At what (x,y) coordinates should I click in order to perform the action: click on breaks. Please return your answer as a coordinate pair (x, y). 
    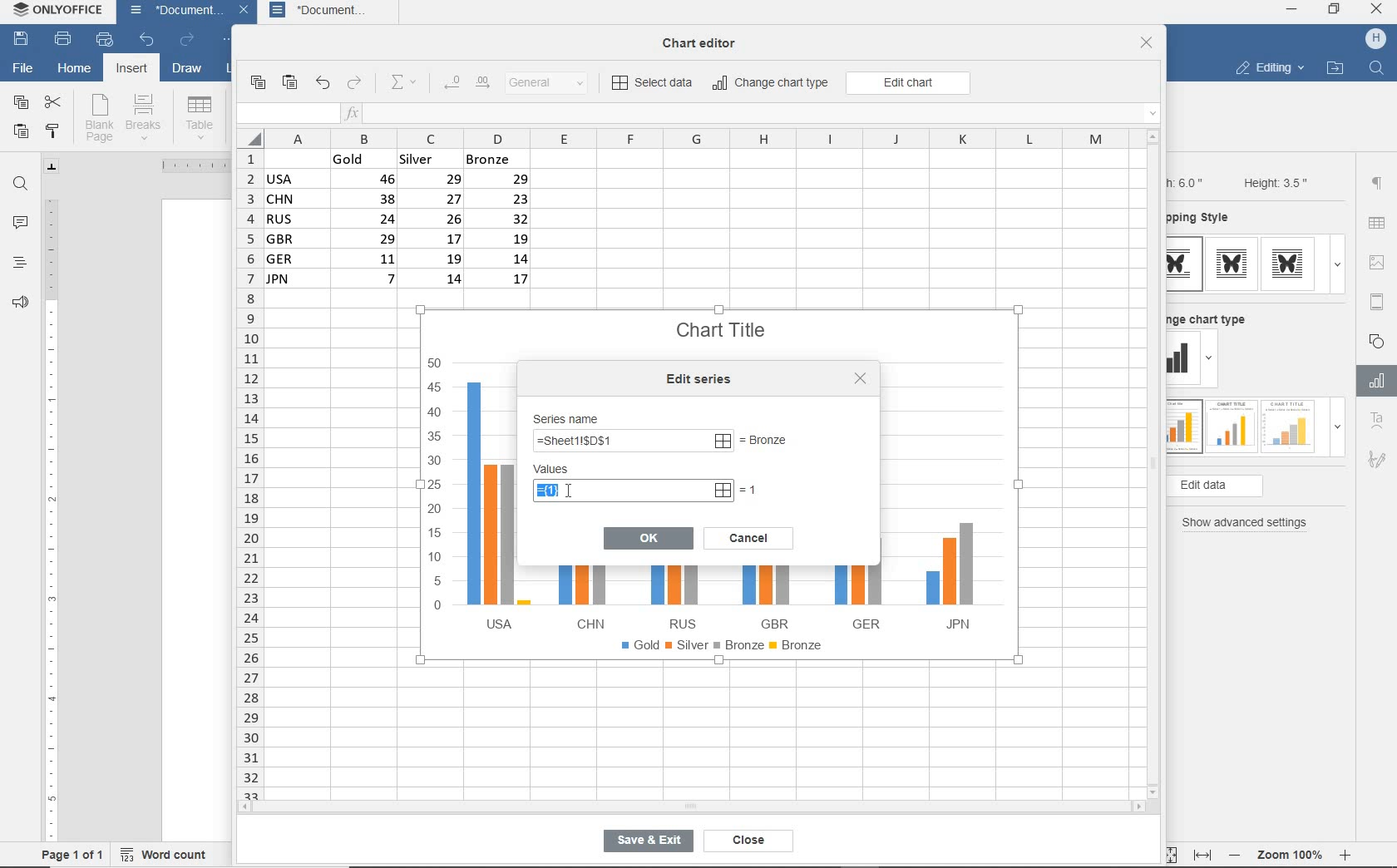
    Looking at the image, I should click on (146, 117).